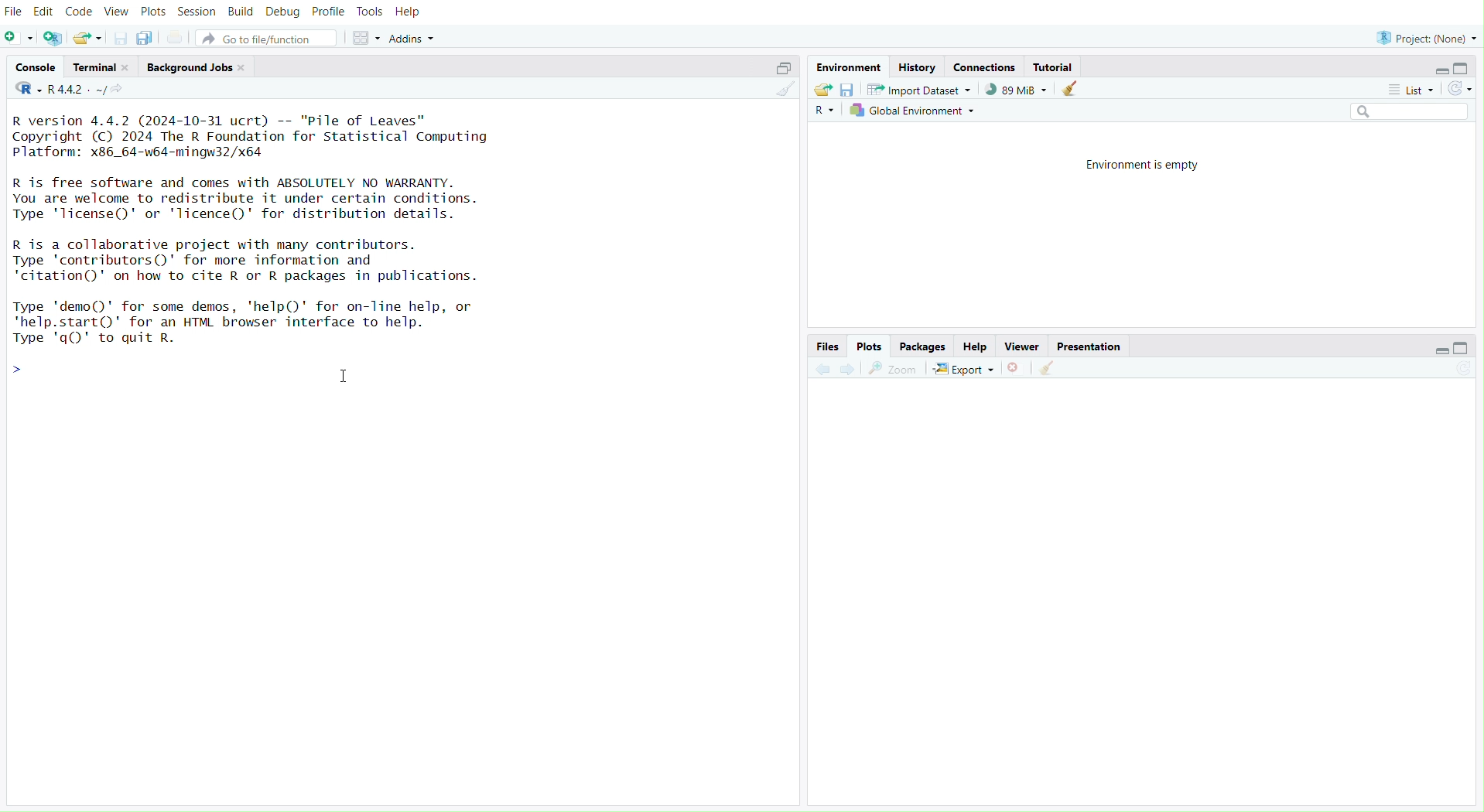 The image size is (1484, 812). What do you see at coordinates (36, 67) in the screenshot?
I see `Console` at bounding box center [36, 67].